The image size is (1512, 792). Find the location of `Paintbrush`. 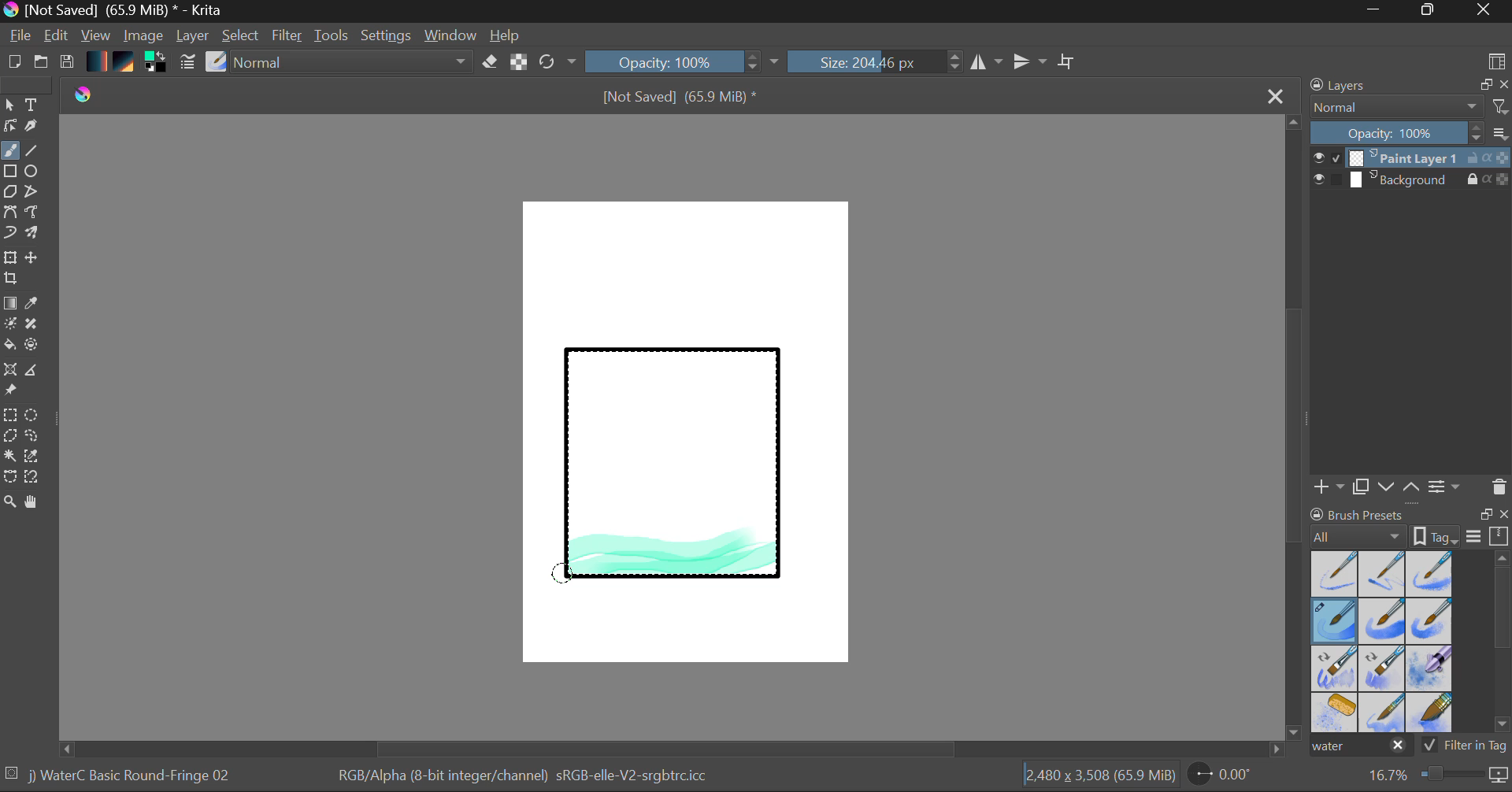

Paintbrush is located at coordinates (9, 152).